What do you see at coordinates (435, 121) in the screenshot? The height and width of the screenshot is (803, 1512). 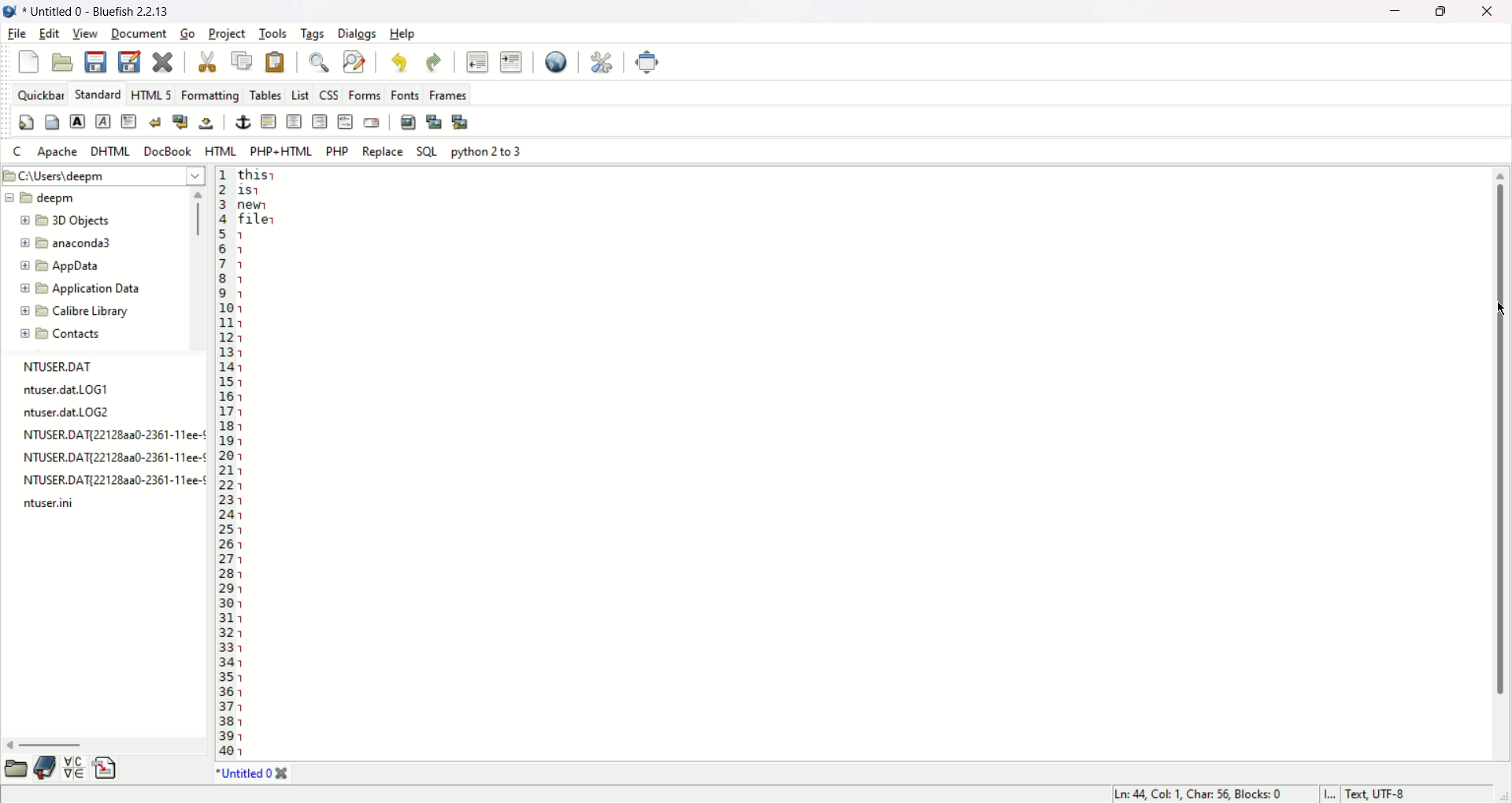 I see `insert thumbnail` at bounding box center [435, 121].